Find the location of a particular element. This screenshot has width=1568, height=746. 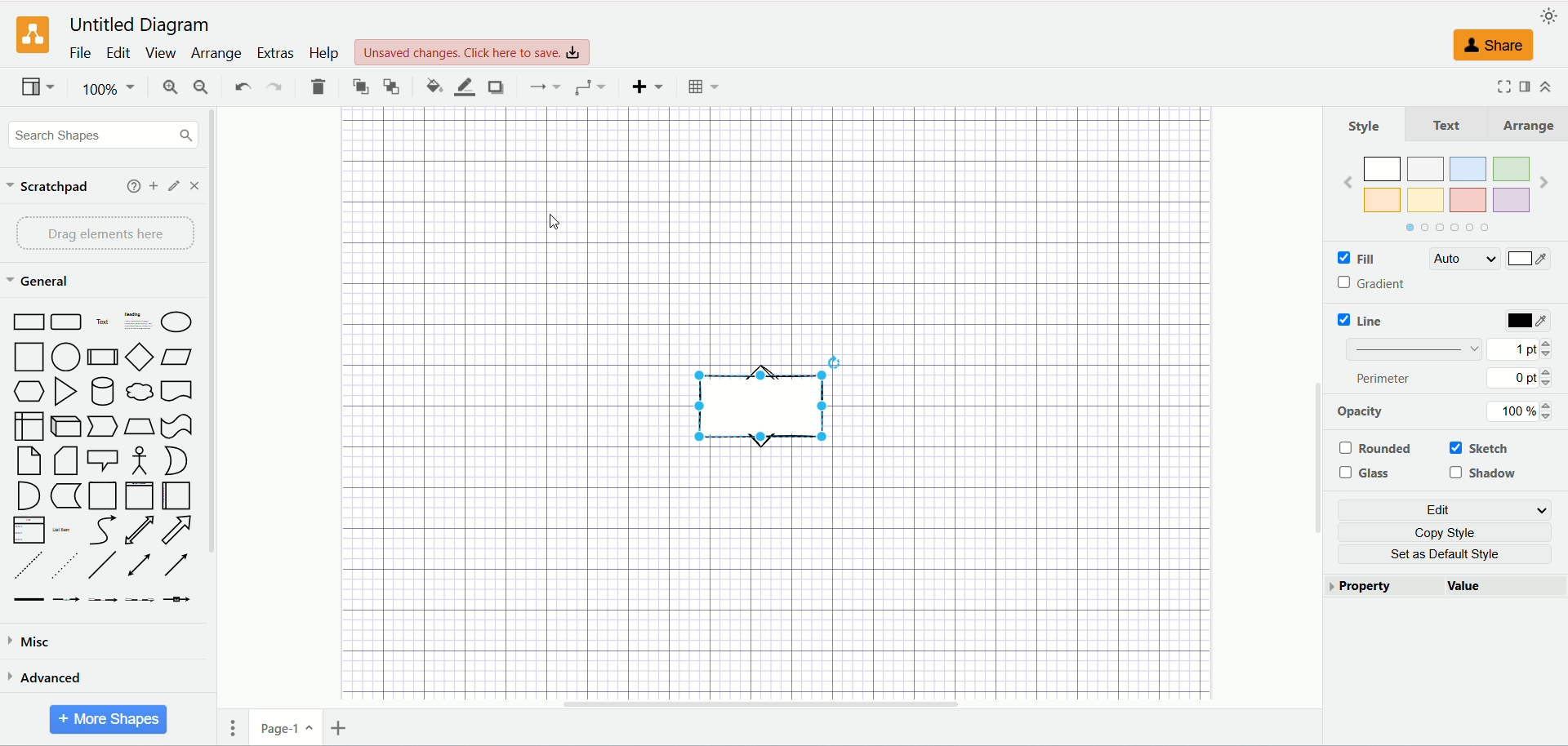

Tape is located at coordinates (178, 426).